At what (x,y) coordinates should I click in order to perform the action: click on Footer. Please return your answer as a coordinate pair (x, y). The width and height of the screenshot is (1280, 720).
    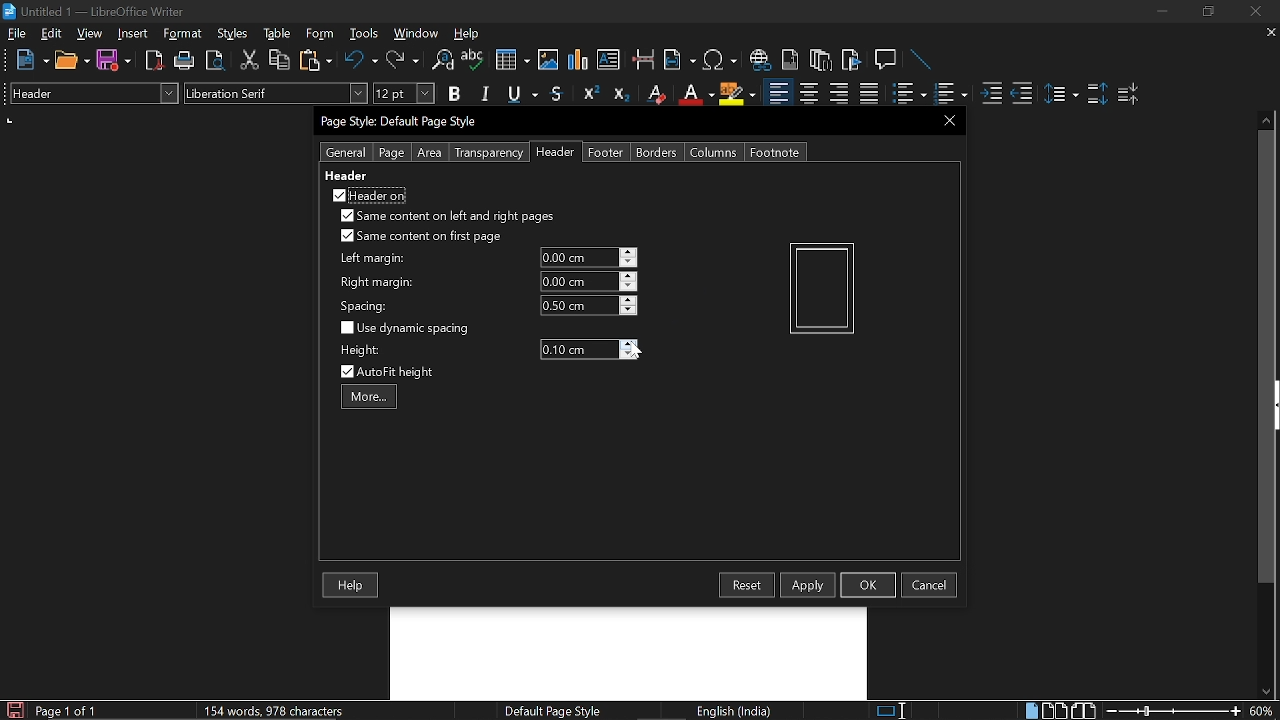
    Looking at the image, I should click on (606, 152).